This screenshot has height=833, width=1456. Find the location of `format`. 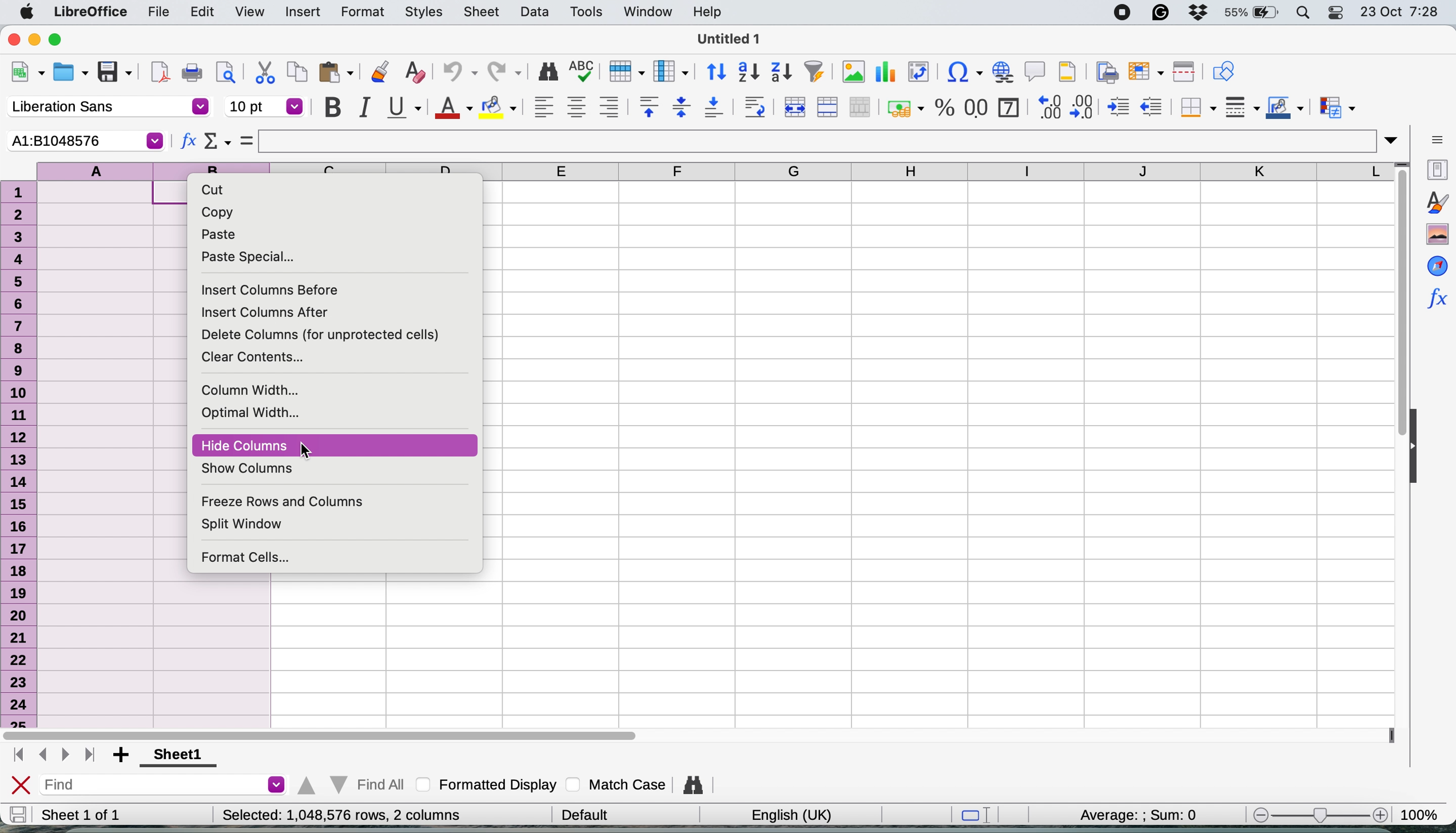

format is located at coordinates (362, 13).